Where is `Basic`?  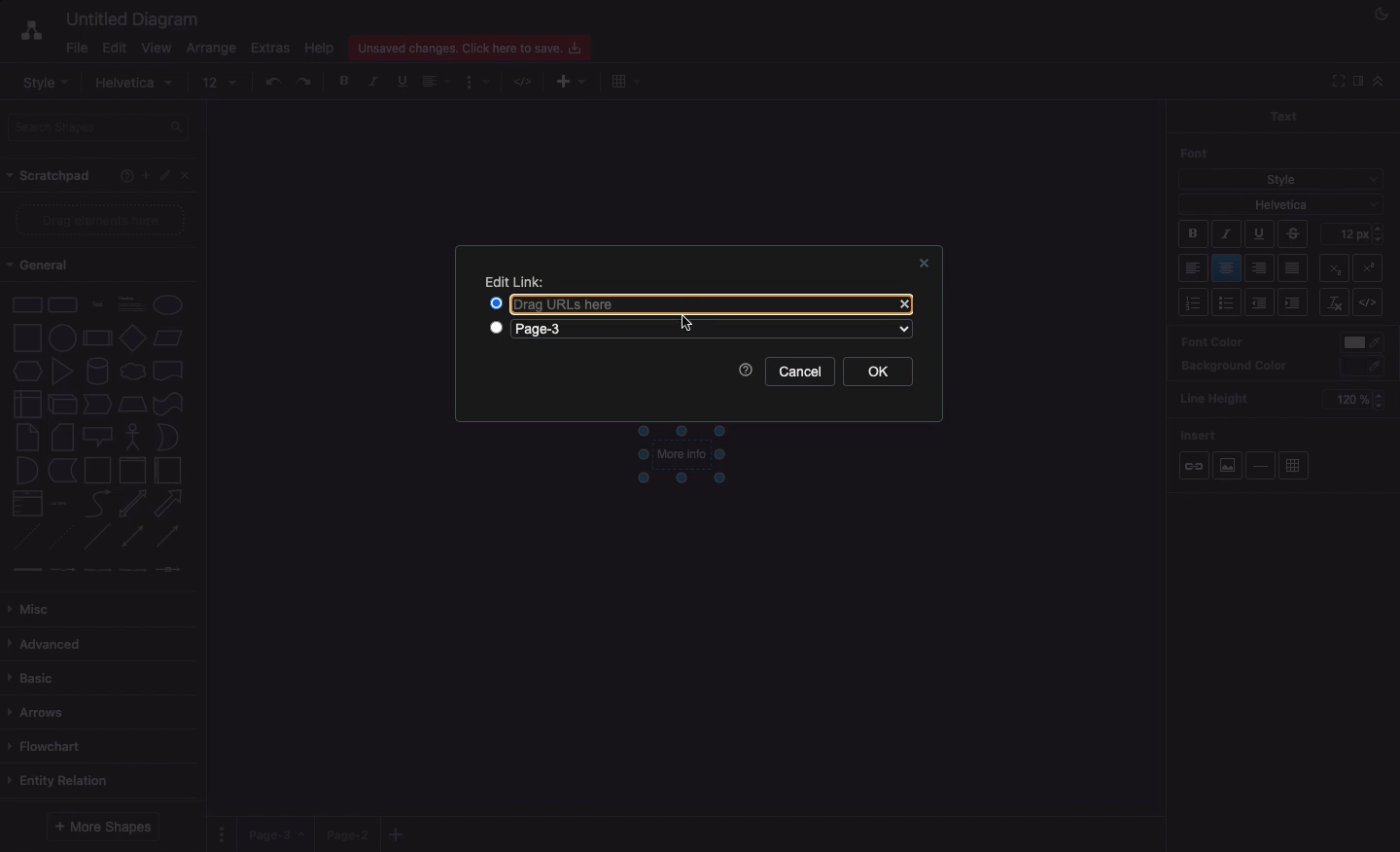
Basic is located at coordinates (34, 679).